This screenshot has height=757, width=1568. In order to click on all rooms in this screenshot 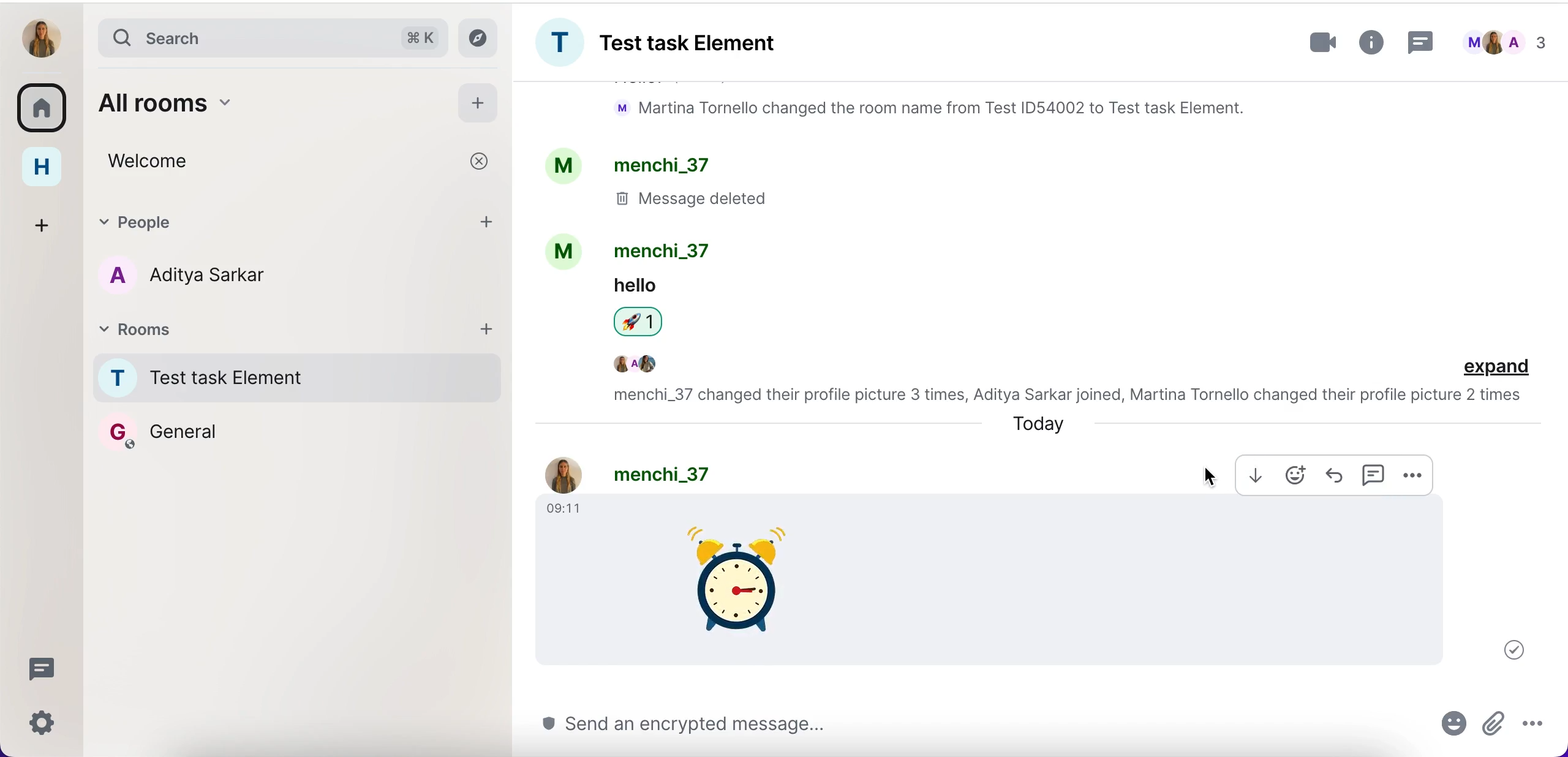, I will do `click(229, 101)`.